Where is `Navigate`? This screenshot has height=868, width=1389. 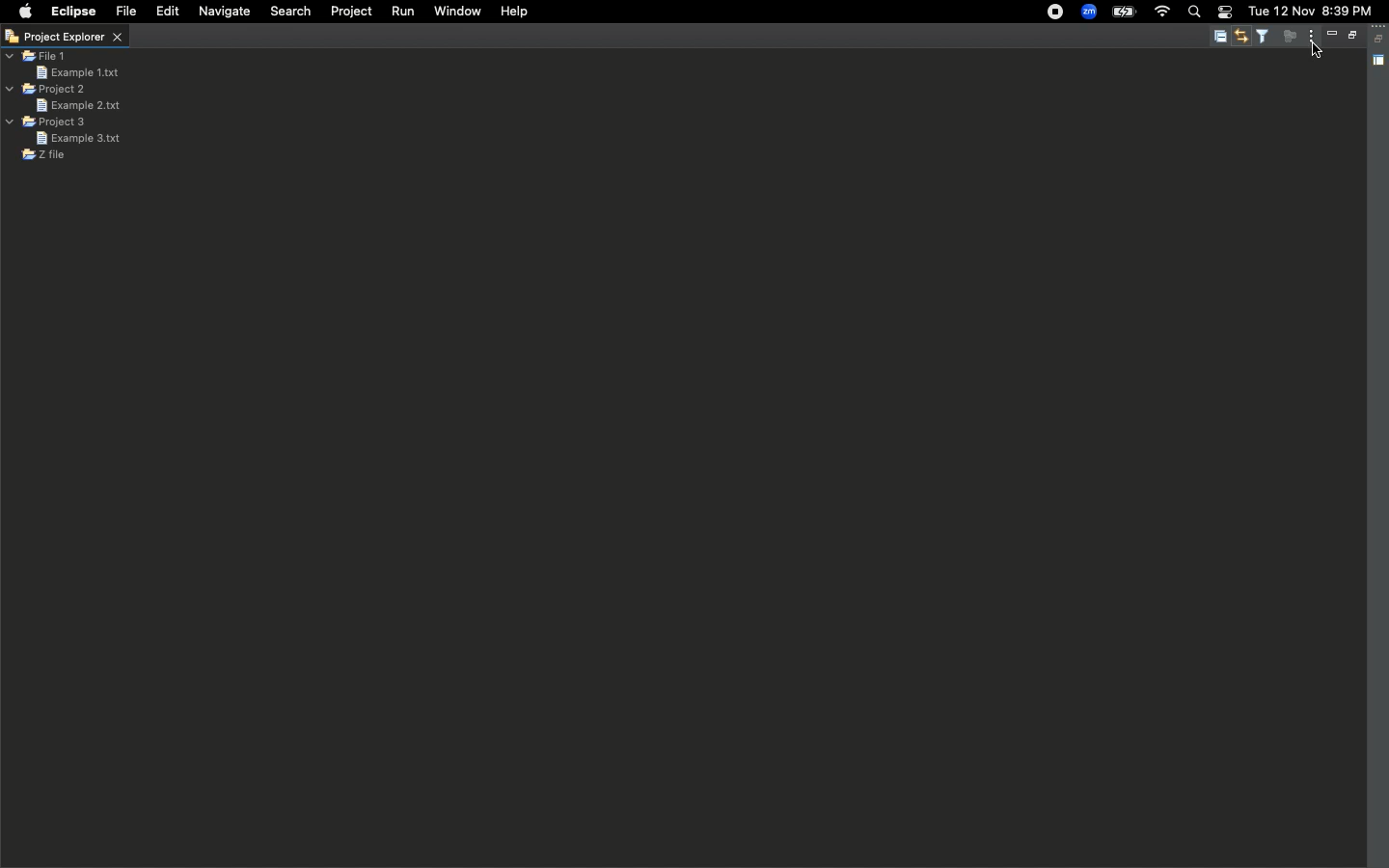
Navigate is located at coordinates (224, 12).